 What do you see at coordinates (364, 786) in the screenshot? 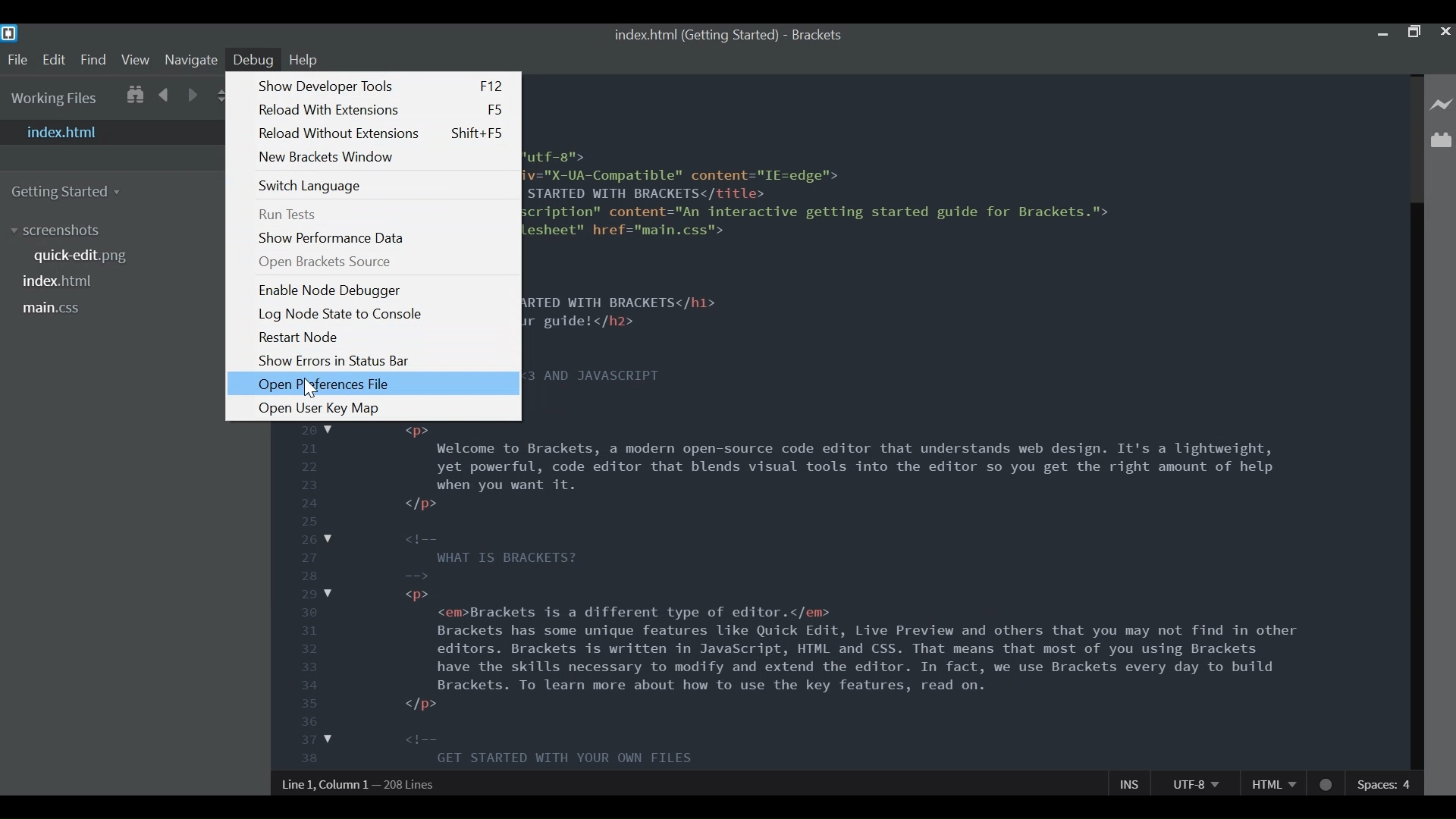
I see `Line 1, Column 1 — 208 Lines` at bounding box center [364, 786].